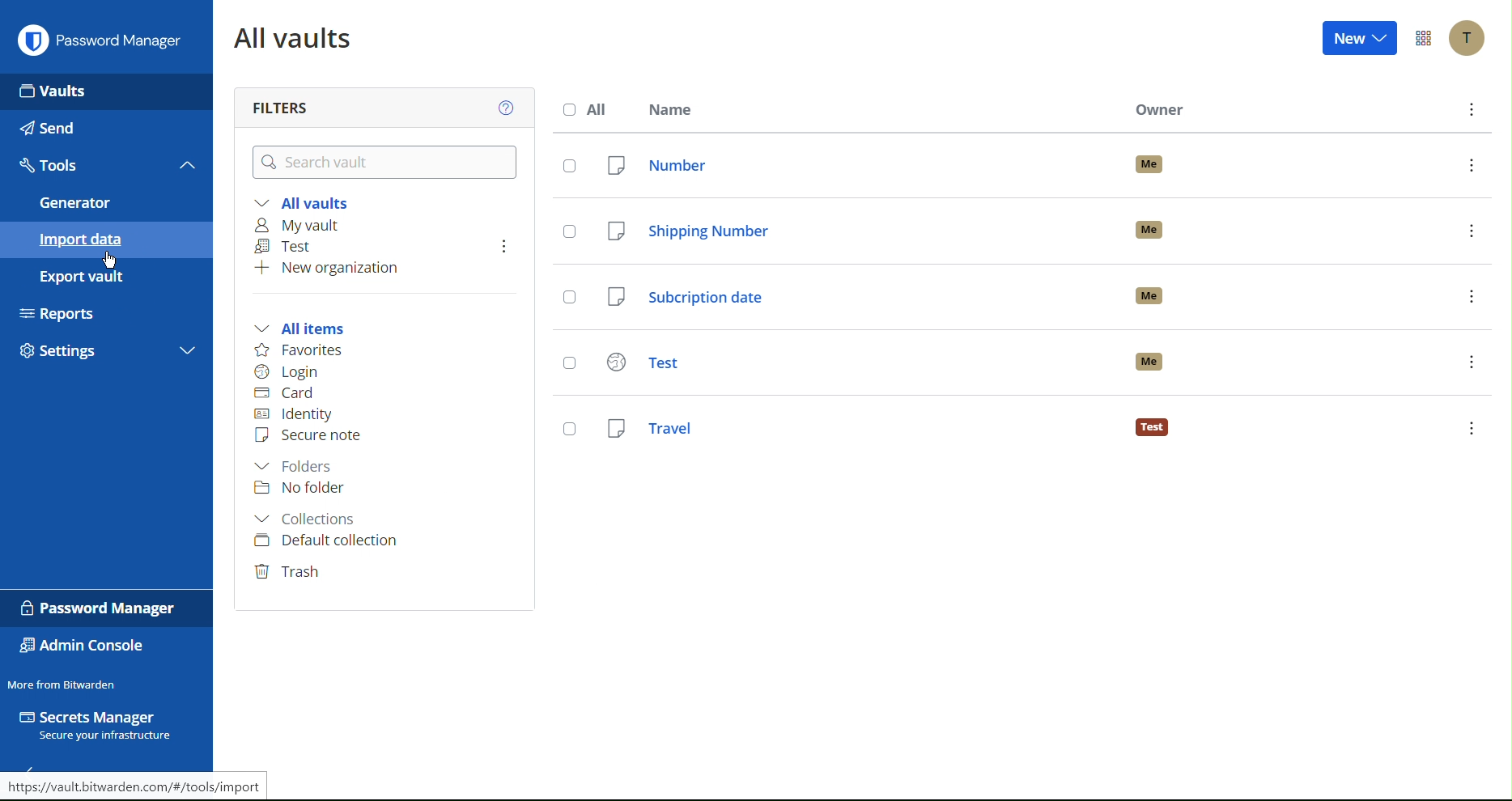 Image resolution: width=1512 pixels, height=801 pixels. Describe the element at coordinates (329, 271) in the screenshot. I see `New organization` at that location.